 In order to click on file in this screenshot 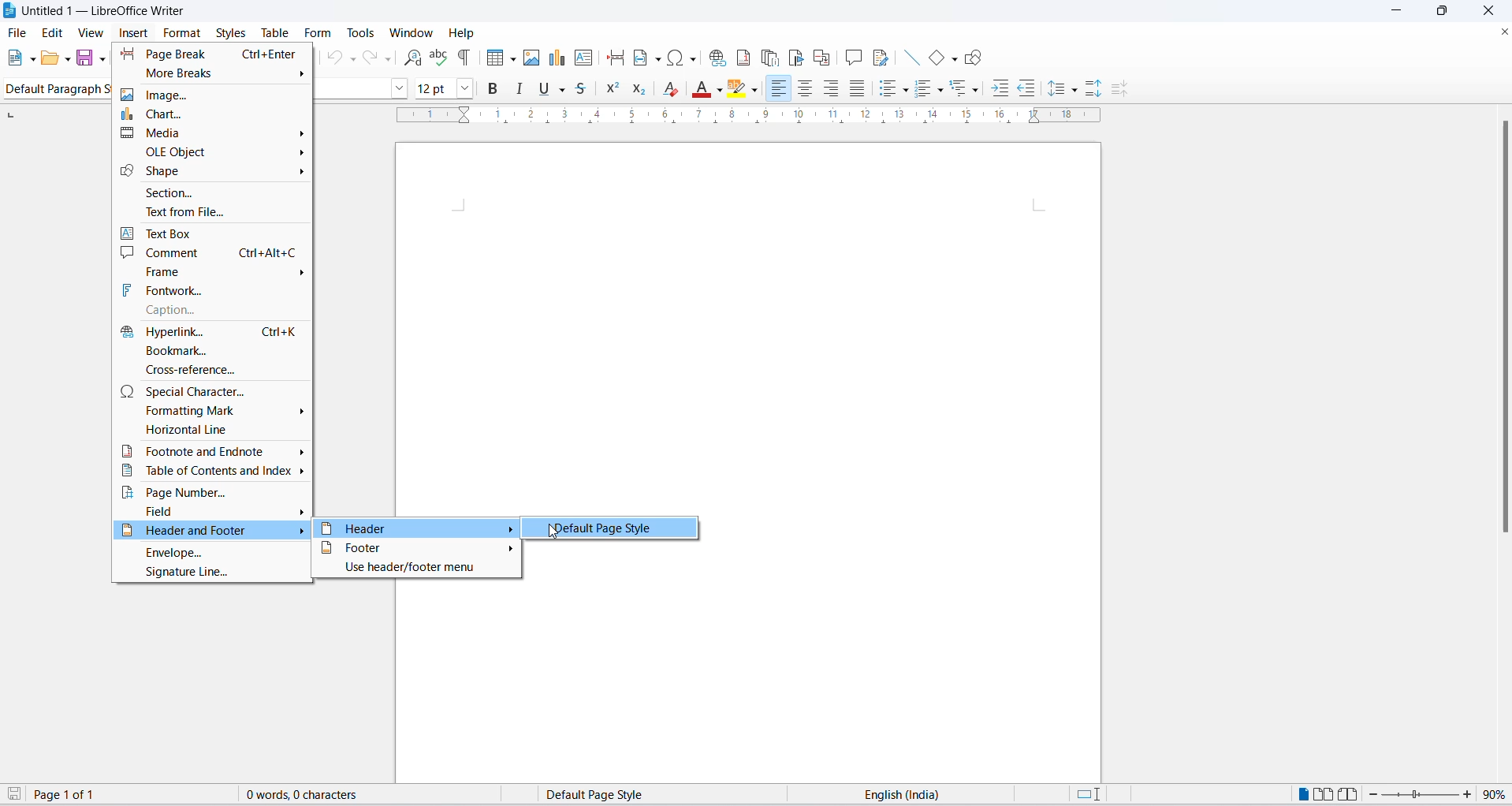, I will do `click(18, 32)`.